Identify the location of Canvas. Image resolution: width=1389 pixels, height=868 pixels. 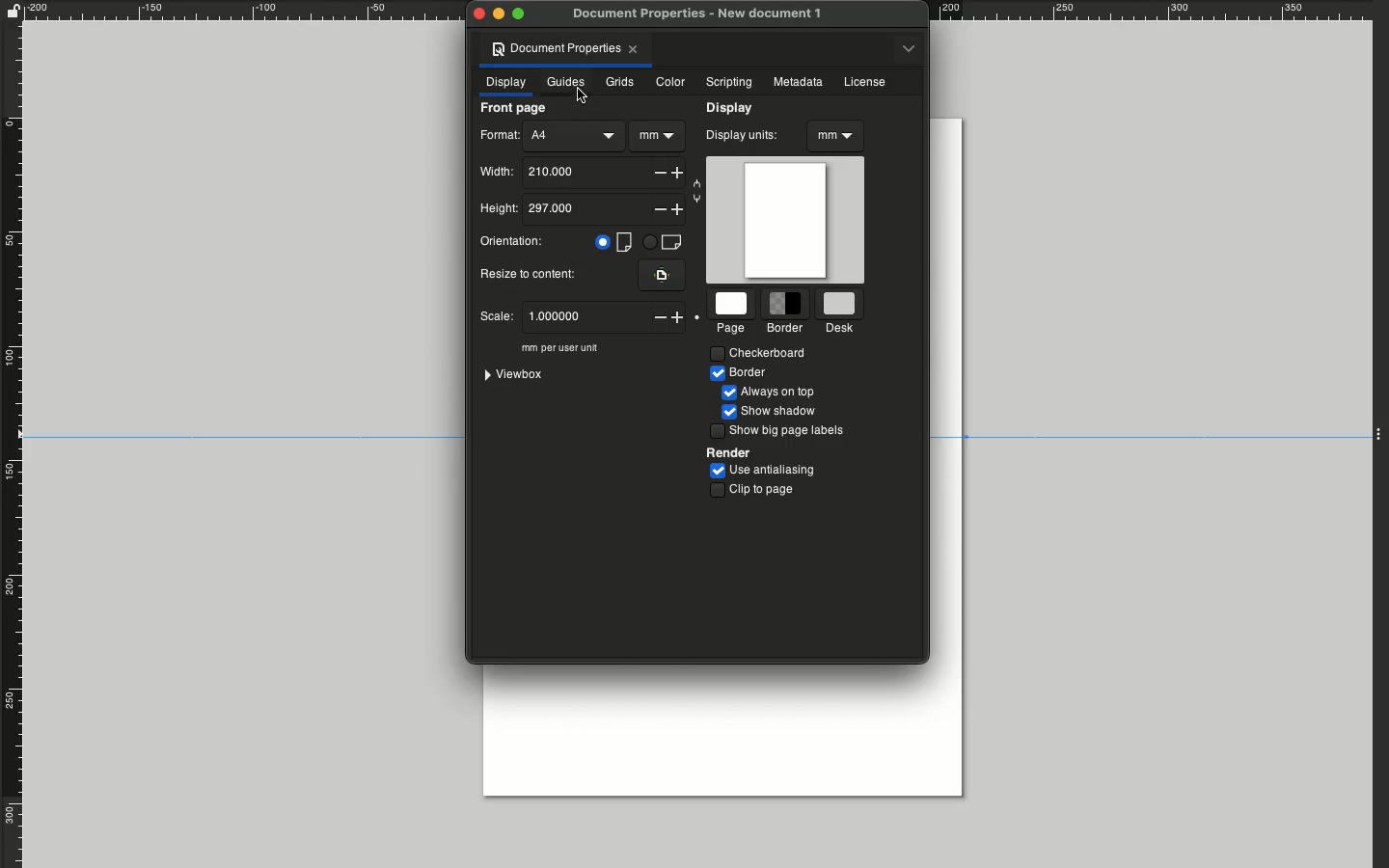
(783, 220).